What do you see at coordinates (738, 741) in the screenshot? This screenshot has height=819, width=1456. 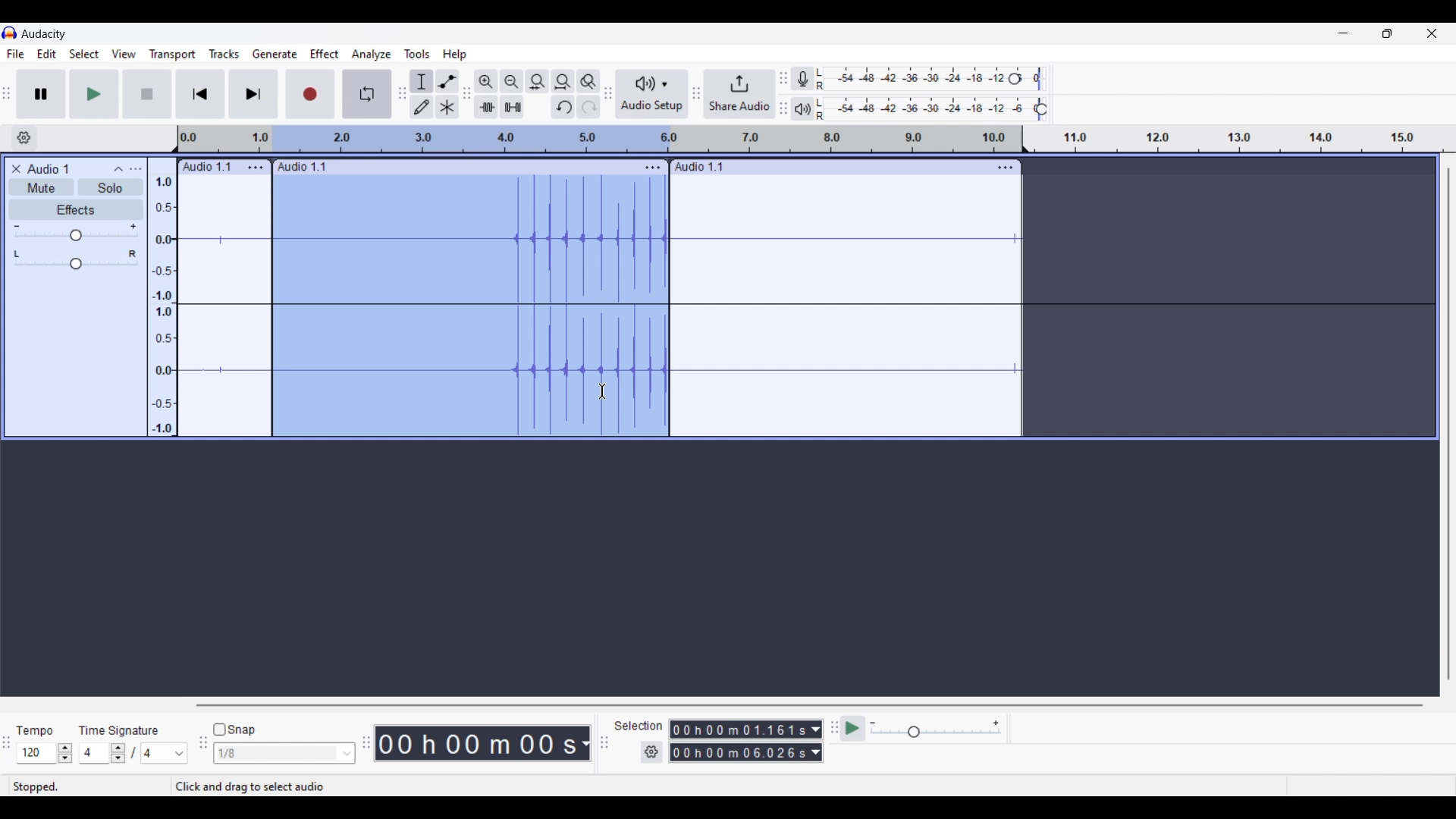 I see `Selection duration` at bounding box center [738, 741].